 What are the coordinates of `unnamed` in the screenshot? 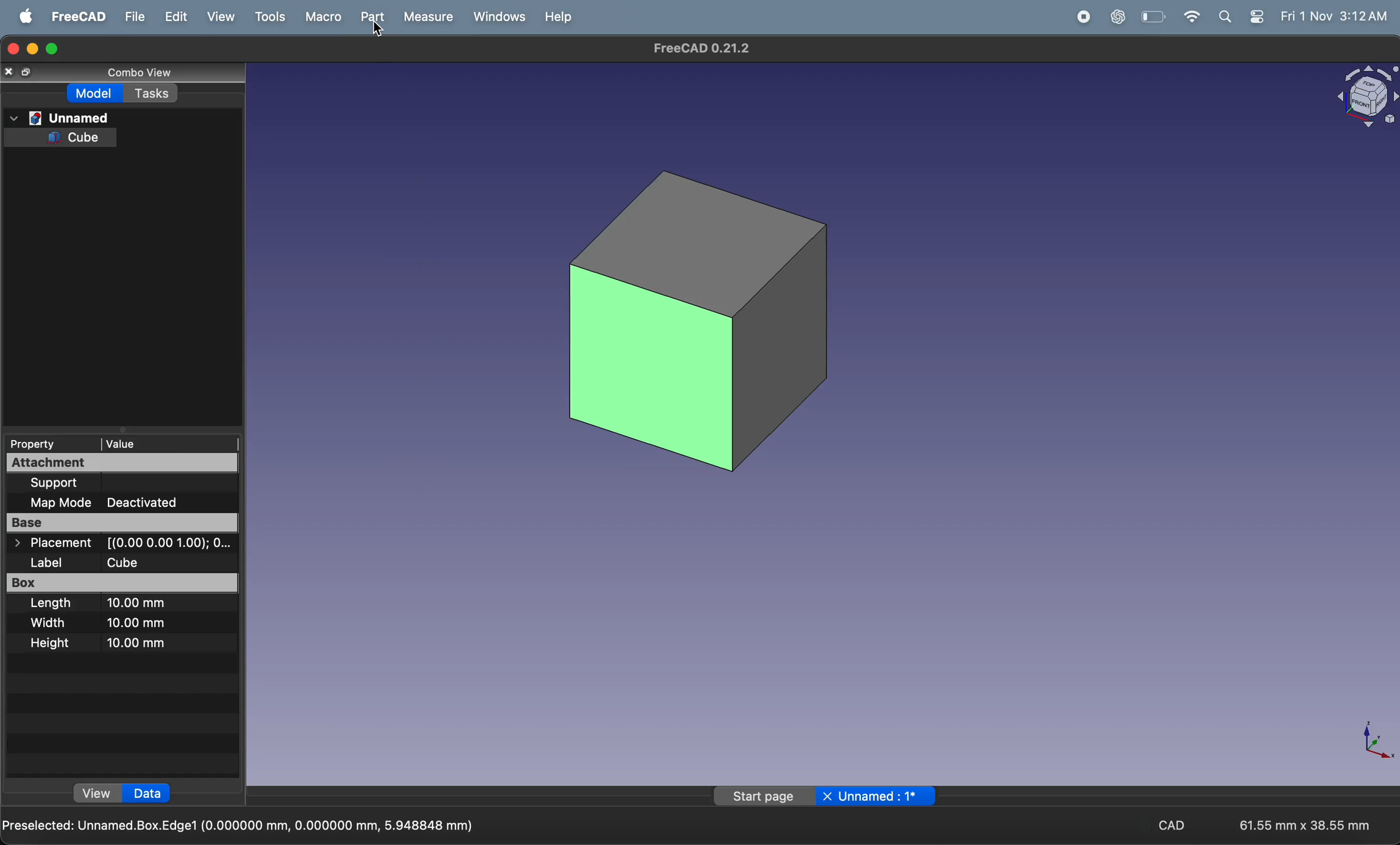 It's located at (64, 116).